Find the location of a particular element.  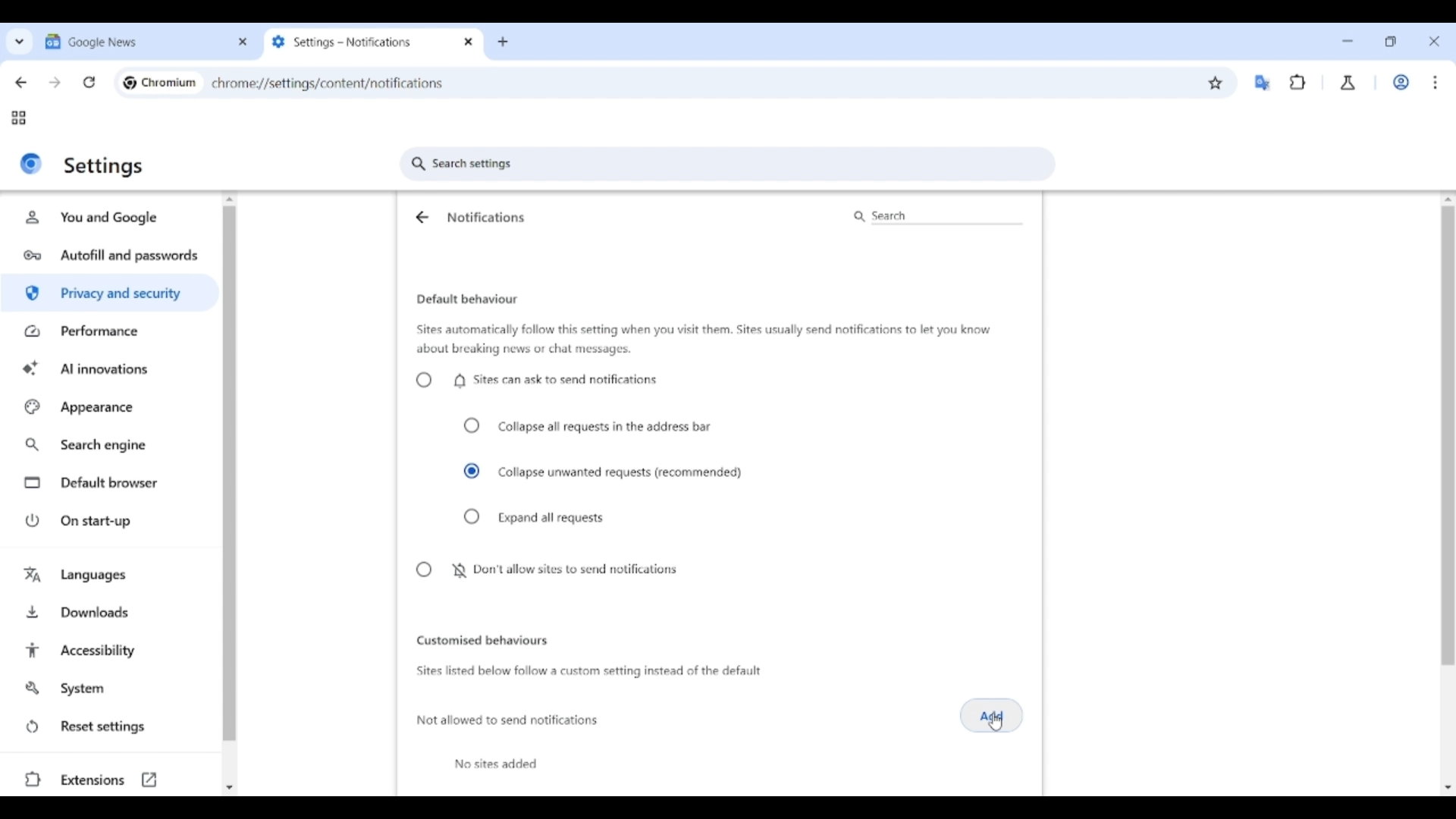

Close tab 2 is located at coordinates (469, 42).